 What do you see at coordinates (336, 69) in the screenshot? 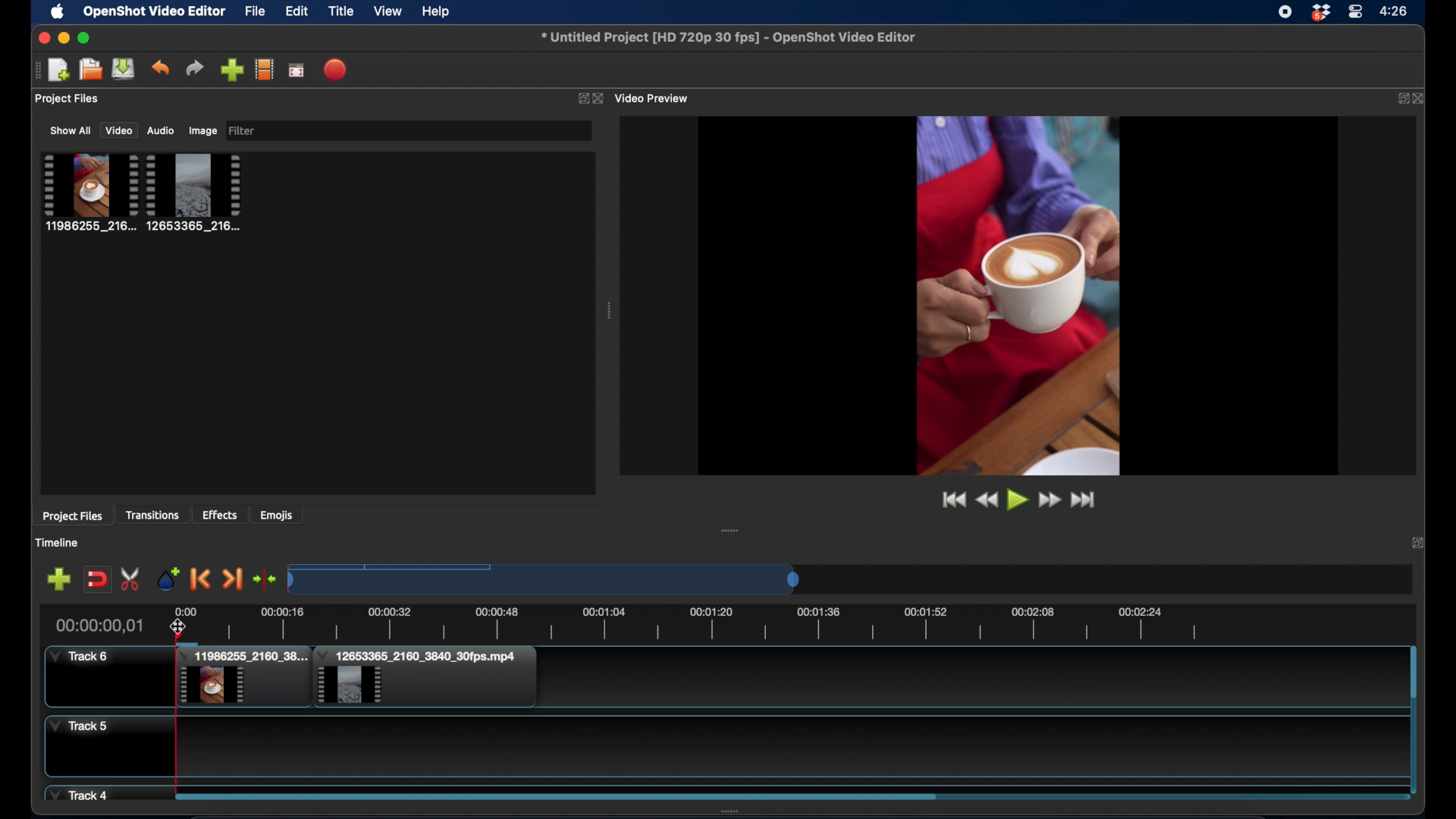
I see `export video` at bounding box center [336, 69].